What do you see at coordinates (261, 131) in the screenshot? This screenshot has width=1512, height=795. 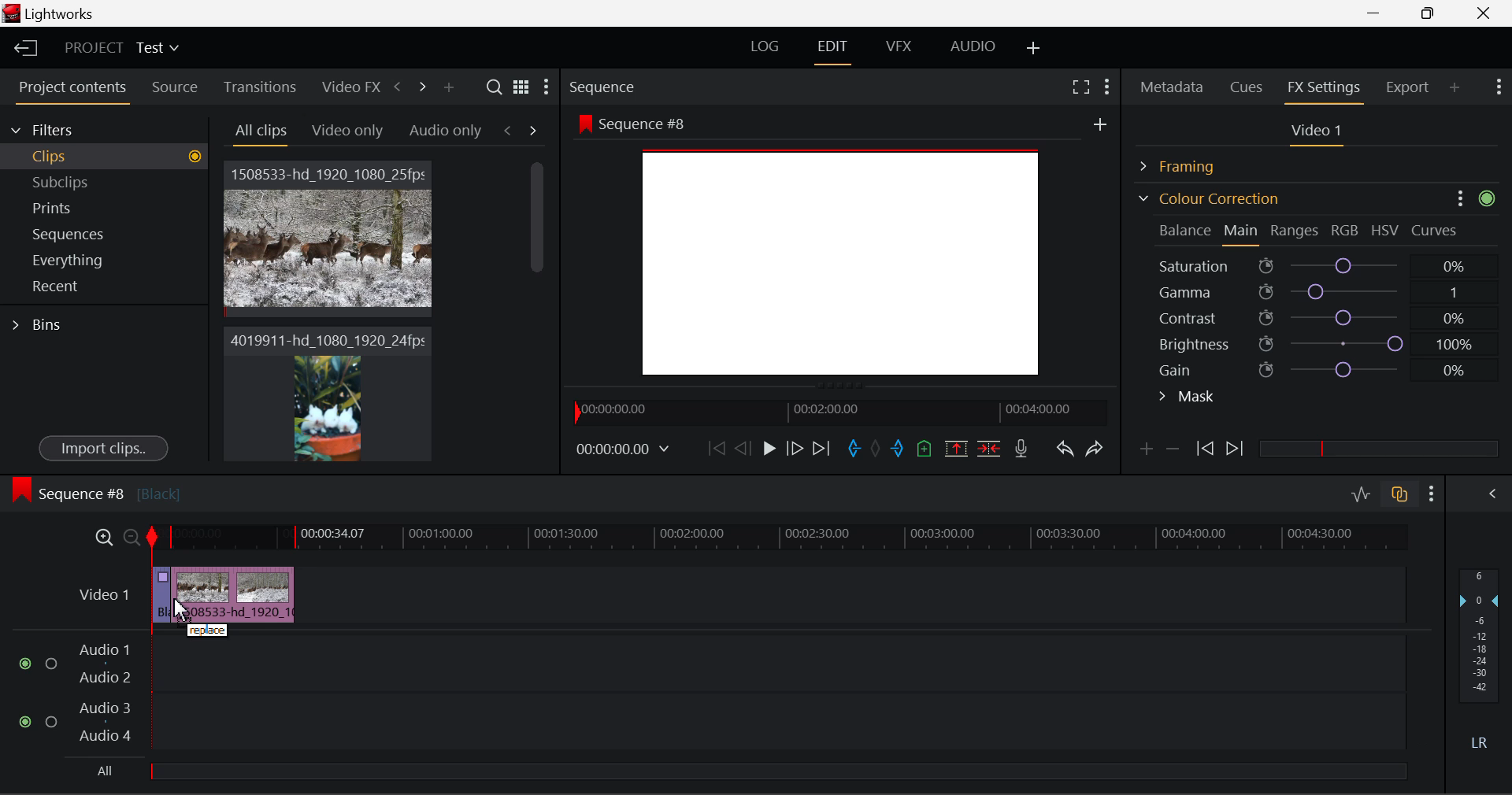 I see `Today Tab Open` at bounding box center [261, 131].